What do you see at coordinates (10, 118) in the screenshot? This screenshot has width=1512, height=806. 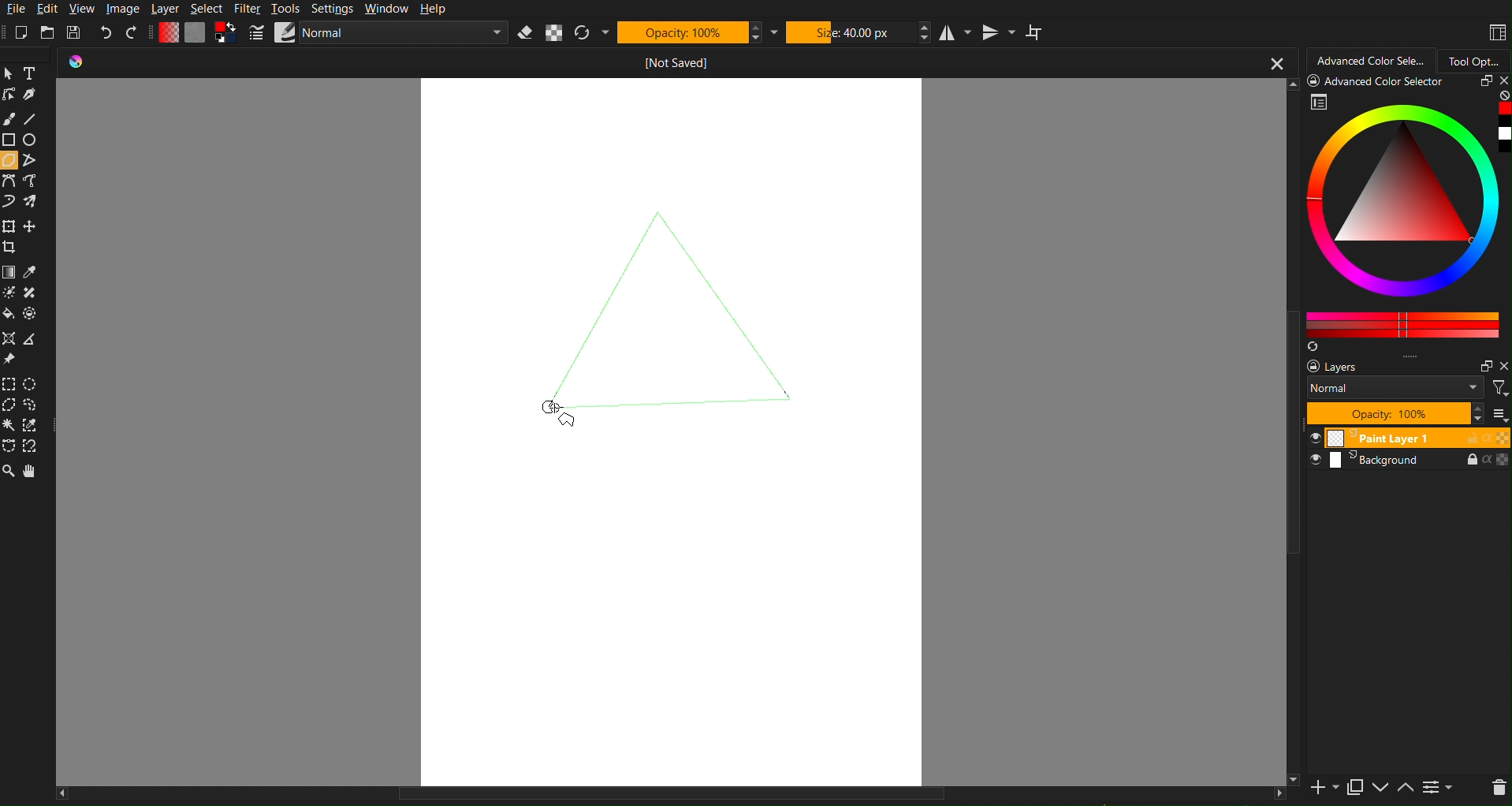 I see `Brush Tools` at bounding box center [10, 118].